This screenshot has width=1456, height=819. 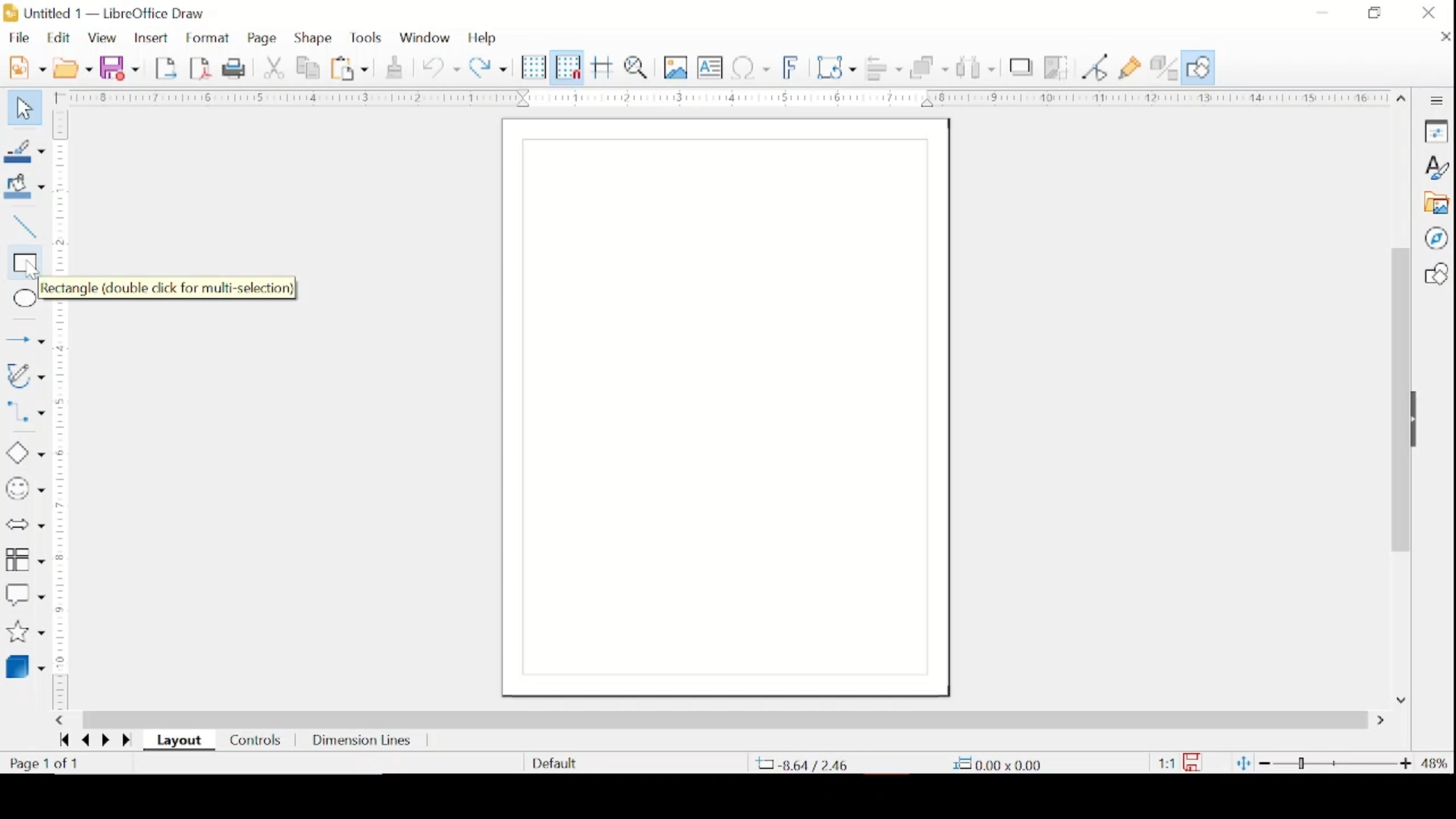 What do you see at coordinates (1164, 69) in the screenshot?
I see `toggle extrusions` at bounding box center [1164, 69].